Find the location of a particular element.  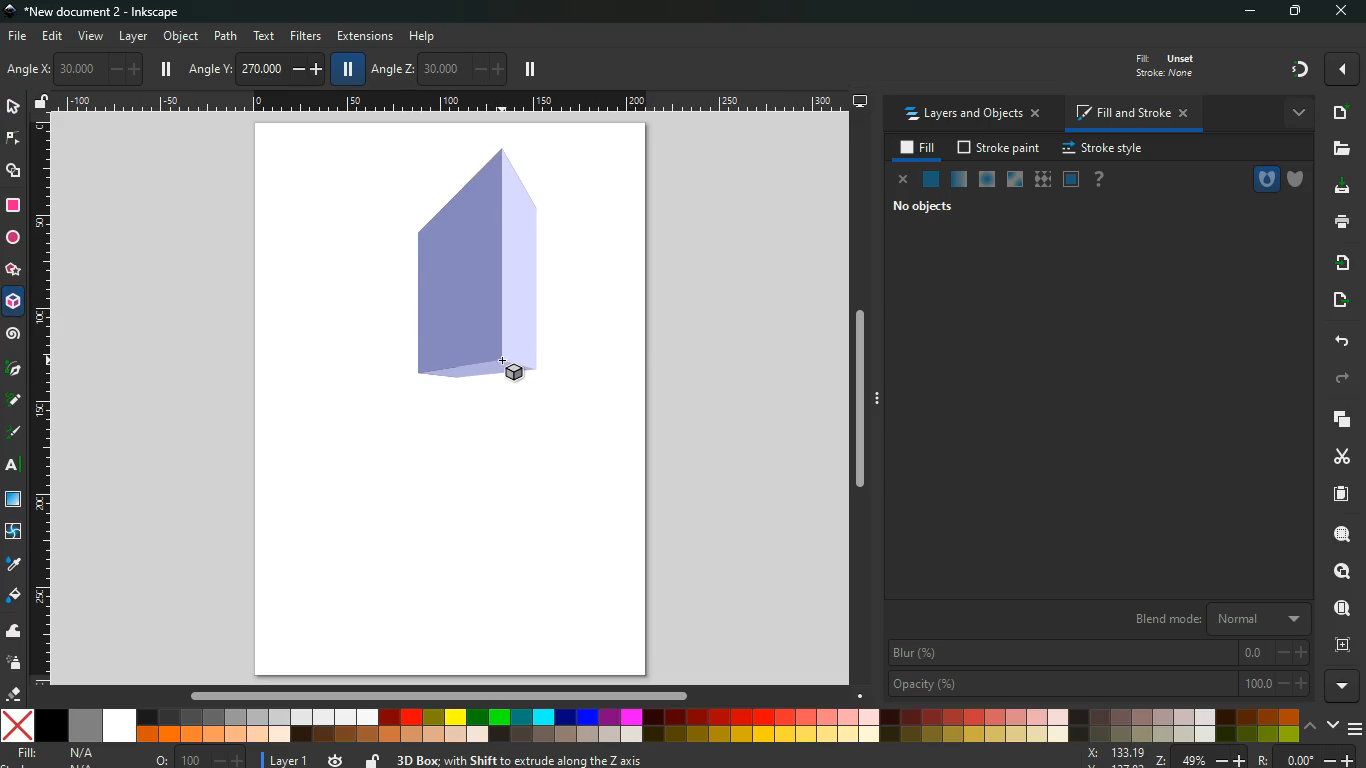

inkscape is located at coordinates (98, 13).